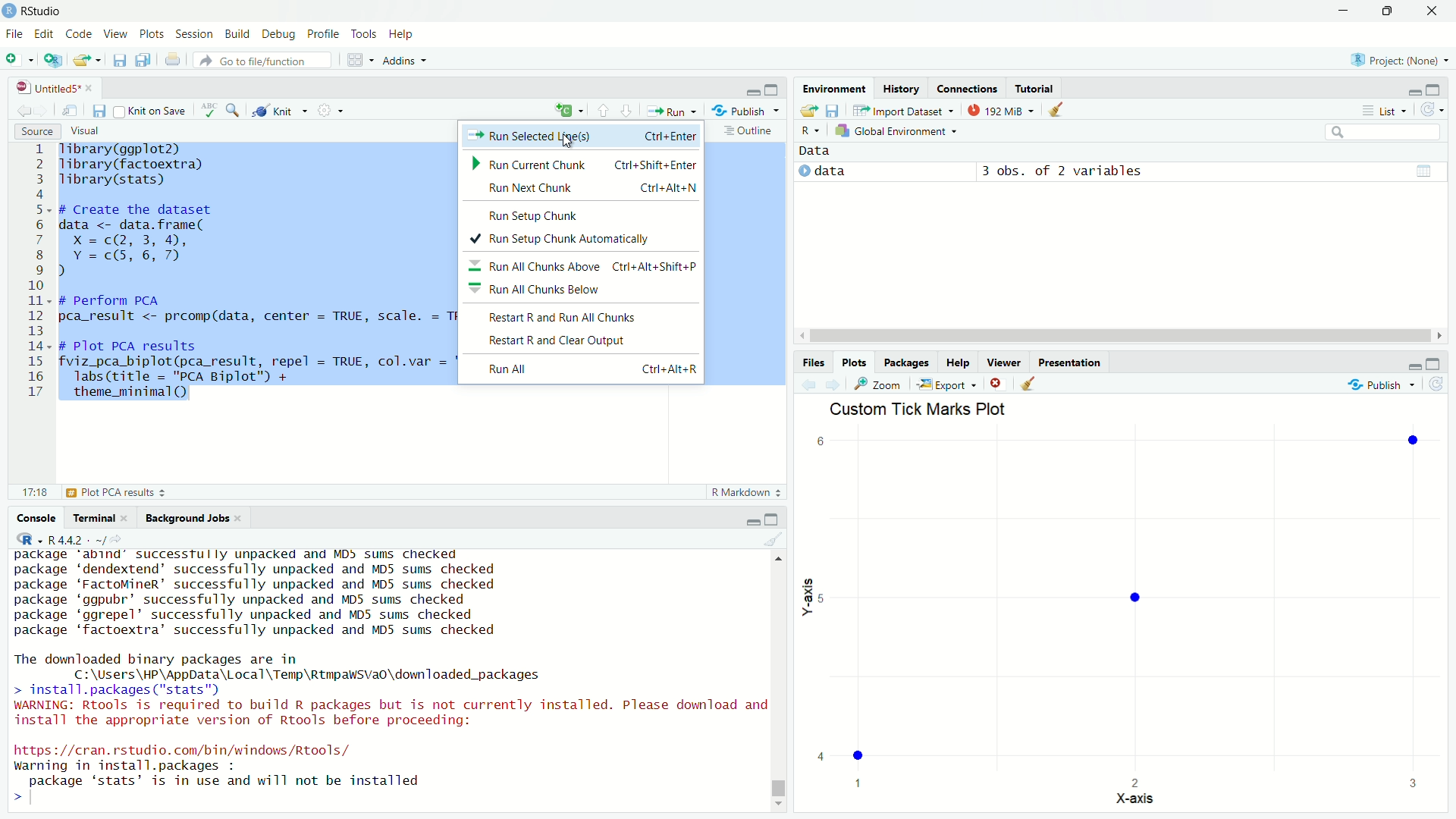 The image size is (1456, 819). I want to click on save workspace as, so click(835, 108).